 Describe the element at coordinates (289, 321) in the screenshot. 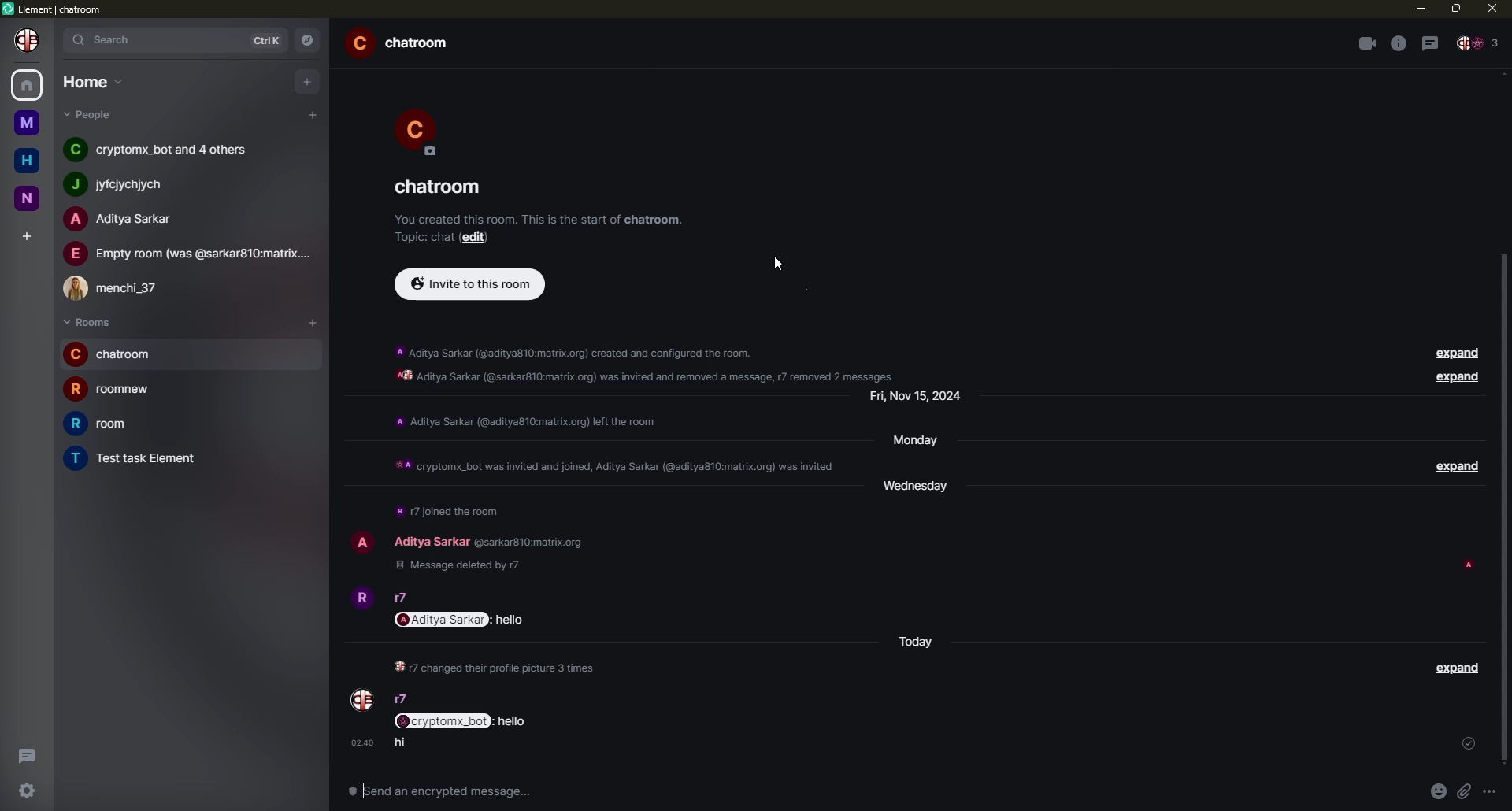

I see `error` at that location.